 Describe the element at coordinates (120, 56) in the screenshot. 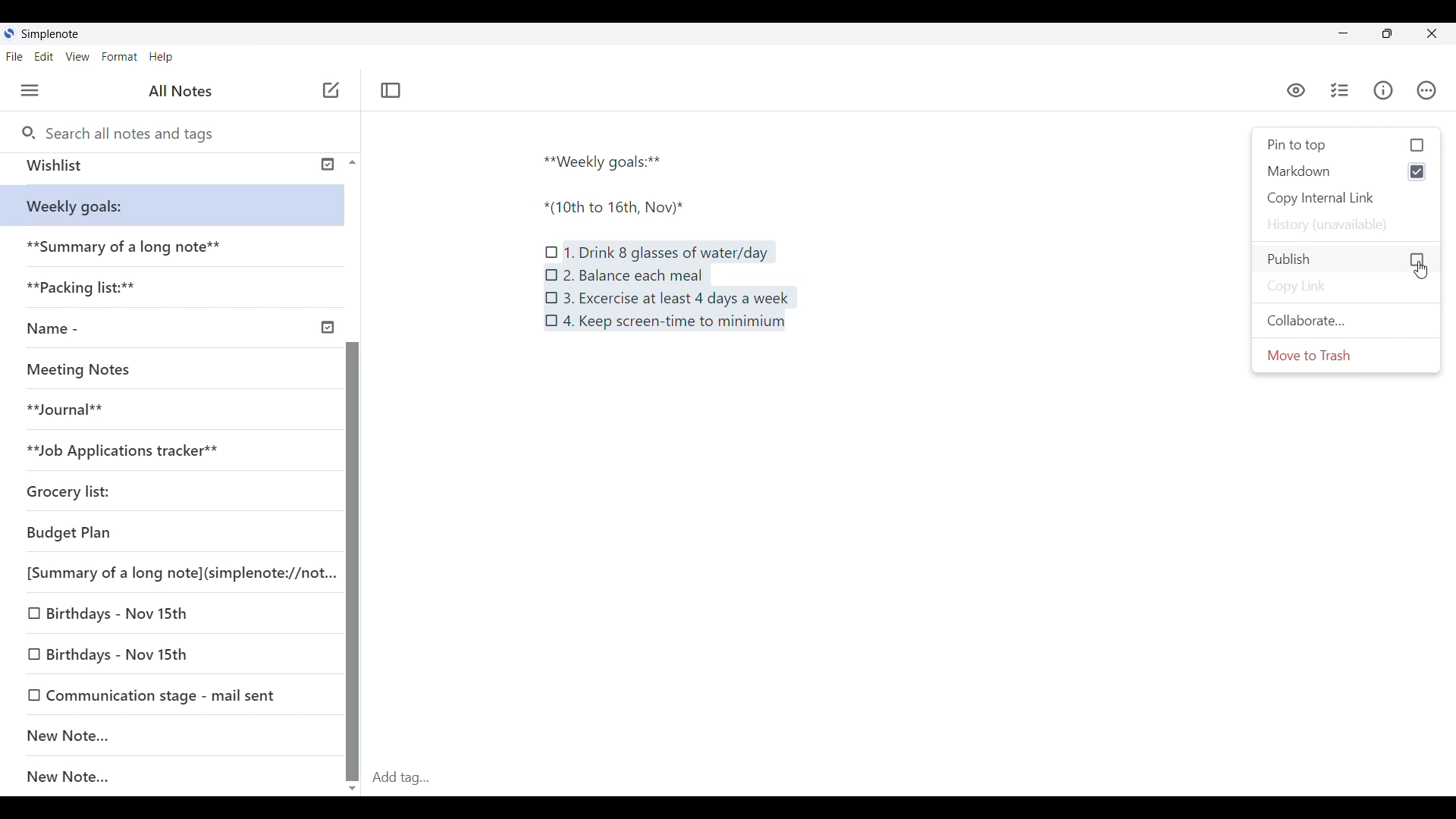

I see `Format` at that location.